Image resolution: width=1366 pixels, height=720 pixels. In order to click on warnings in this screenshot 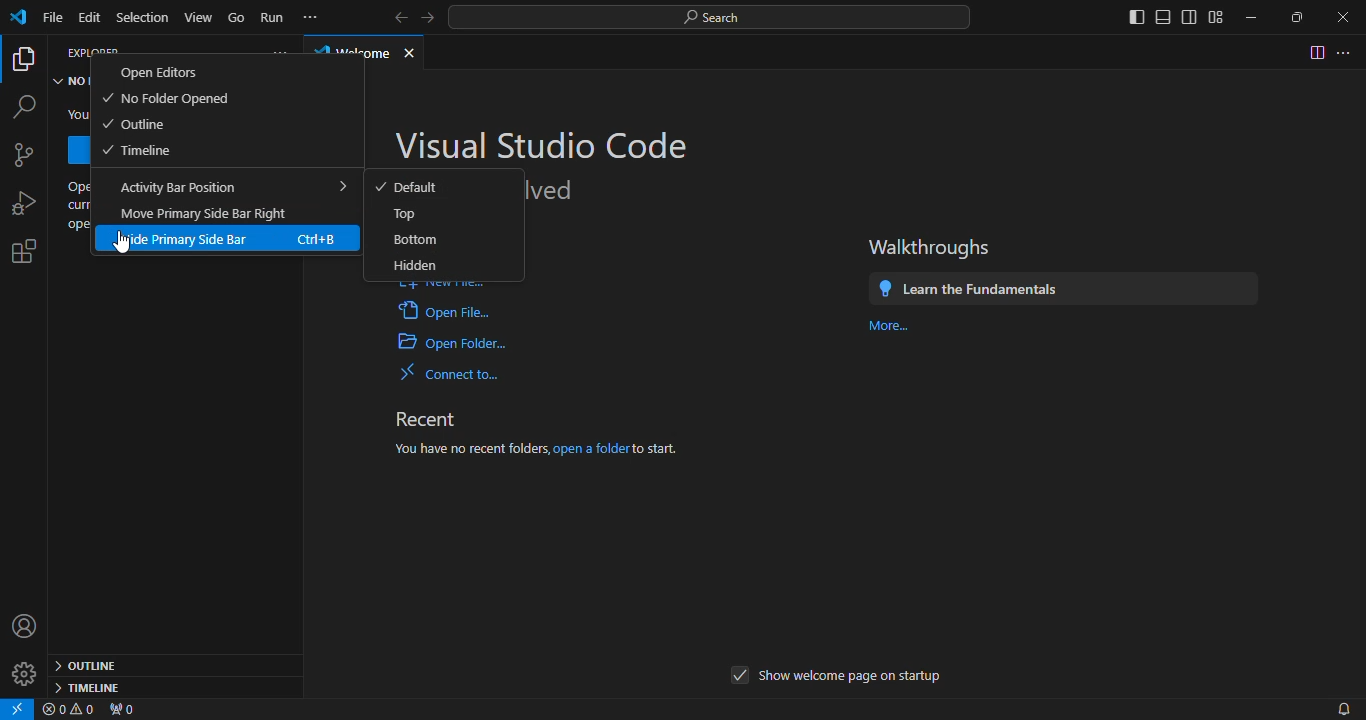, I will do `click(73, 710)`.